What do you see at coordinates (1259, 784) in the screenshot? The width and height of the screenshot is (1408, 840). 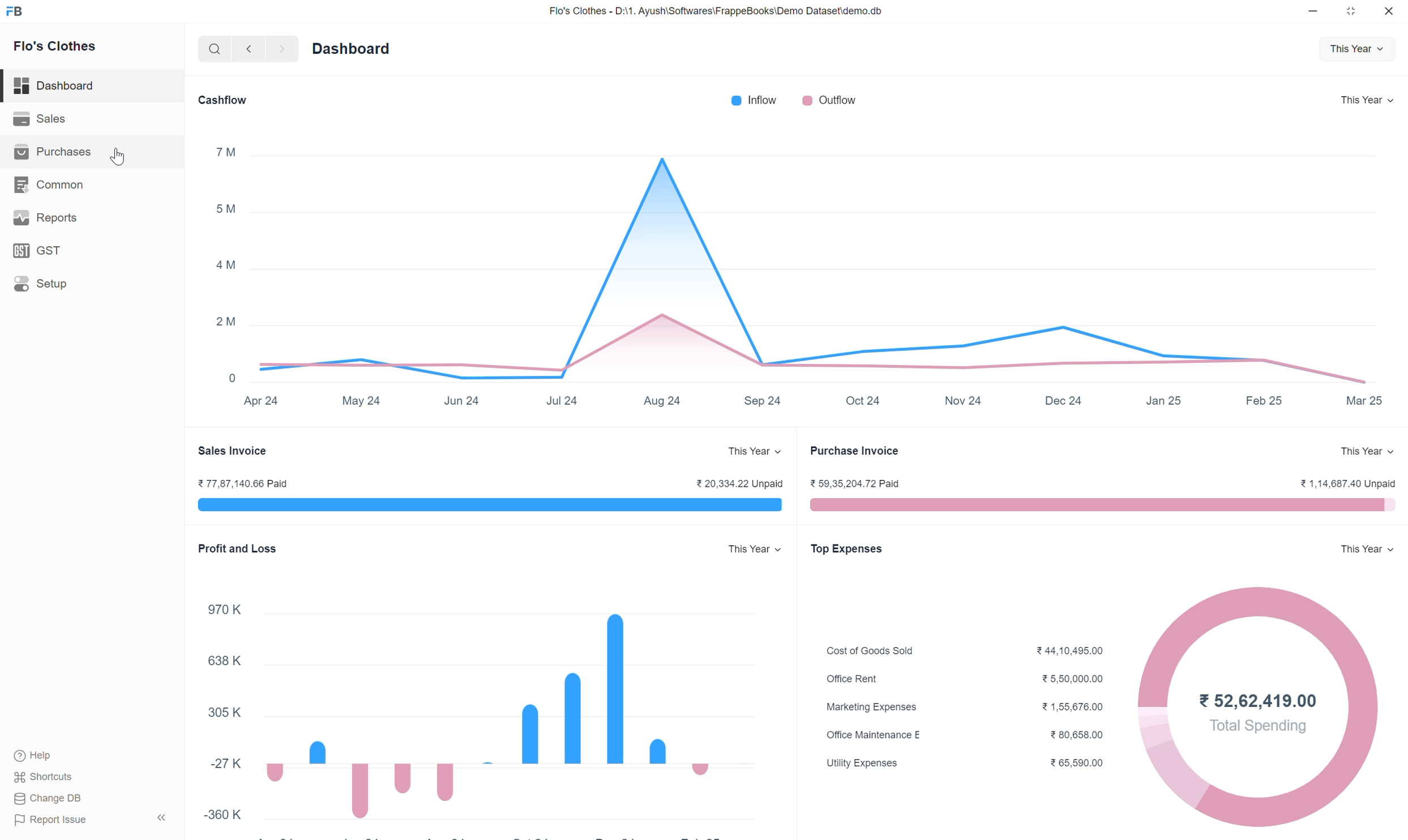 I see `Total spending graph` at bounding box center [1259, 784].